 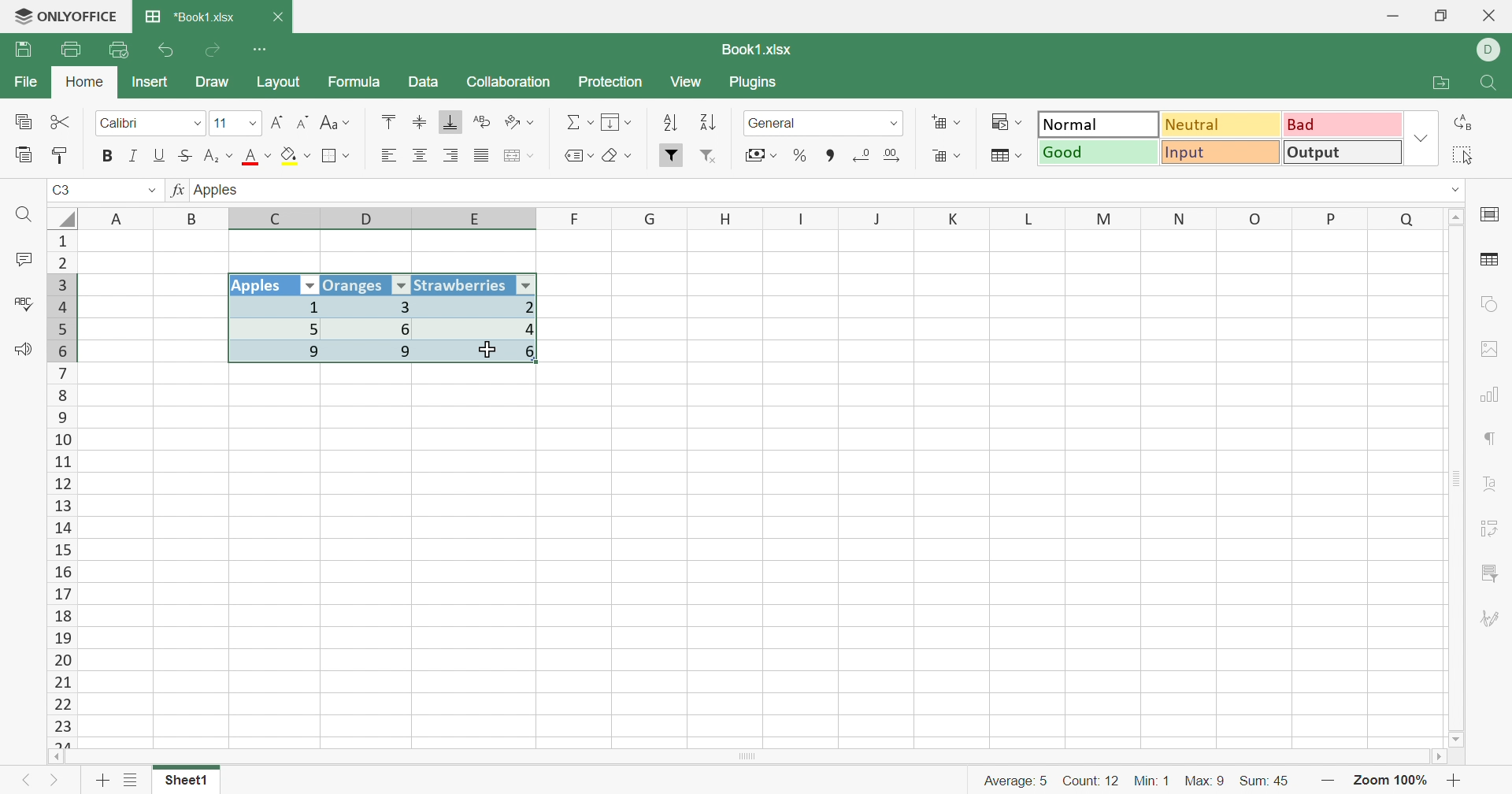 I want to click on H, so click(x=726, y=218).